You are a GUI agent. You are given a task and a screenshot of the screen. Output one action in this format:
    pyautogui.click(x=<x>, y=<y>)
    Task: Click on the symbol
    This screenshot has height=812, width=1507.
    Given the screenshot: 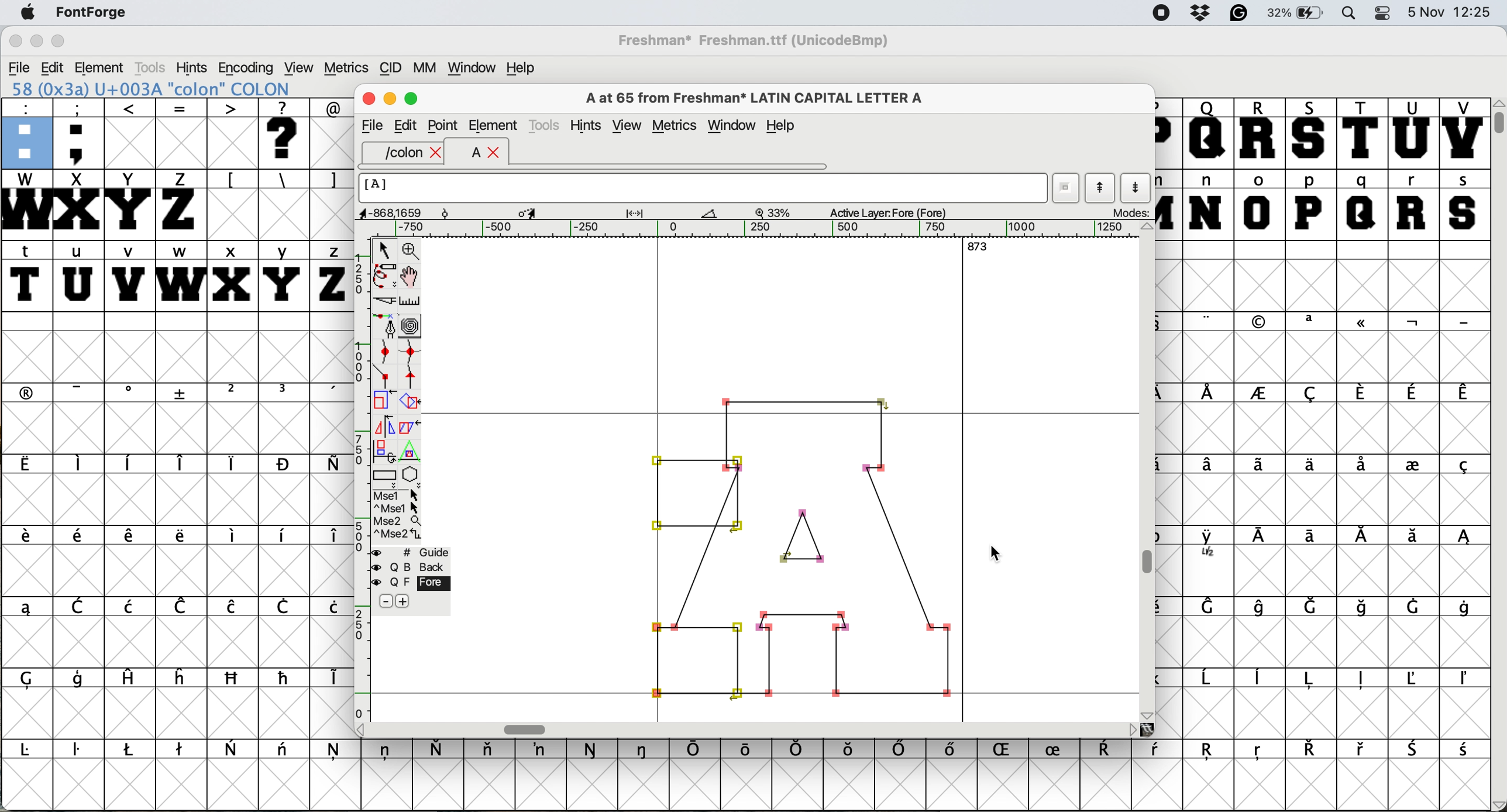 What is the action you would take?
    pyautogui.click(x=1208, y=321)
    